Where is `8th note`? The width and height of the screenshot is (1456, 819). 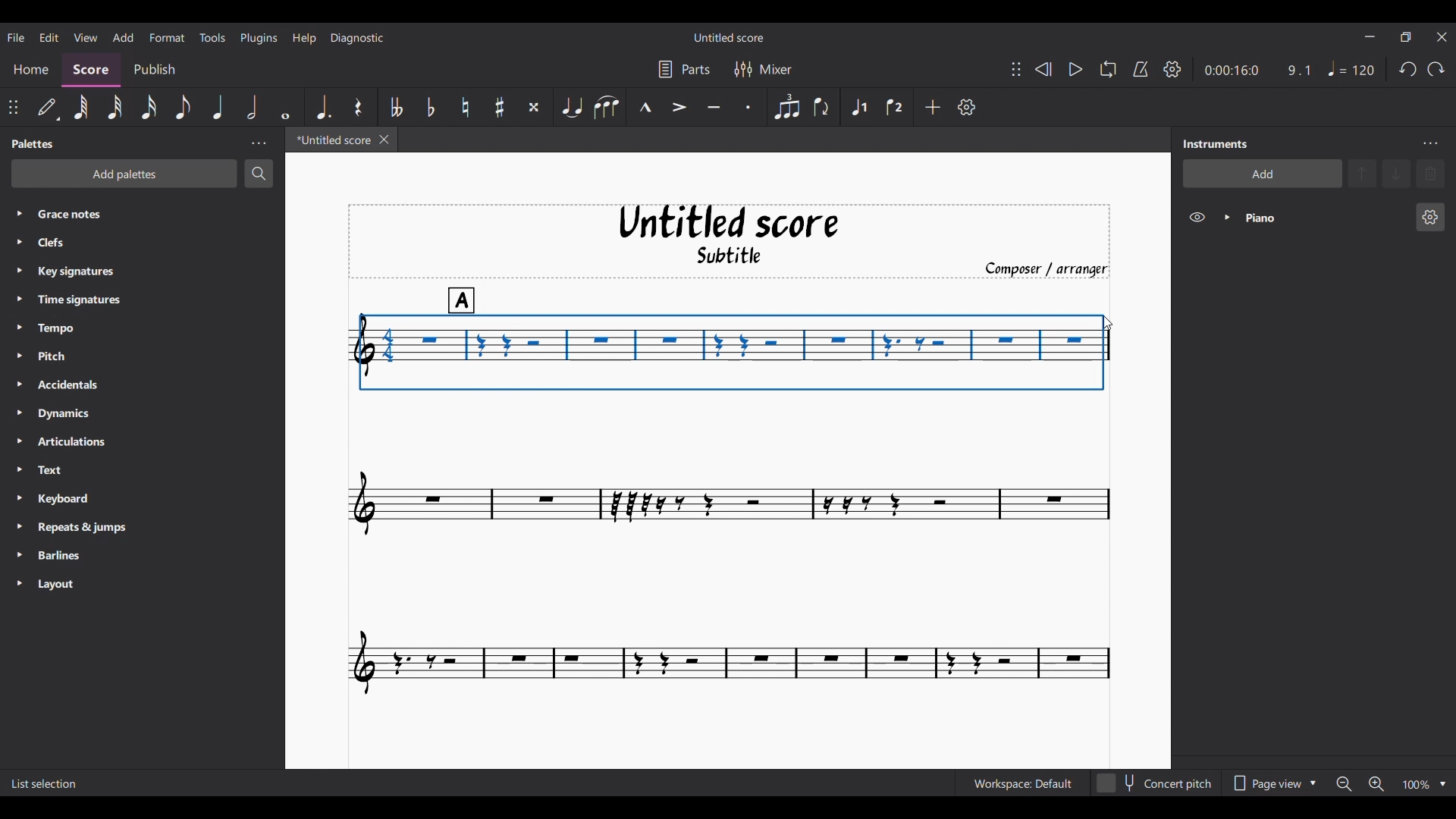
8th note is located at coordinates (184, 107).